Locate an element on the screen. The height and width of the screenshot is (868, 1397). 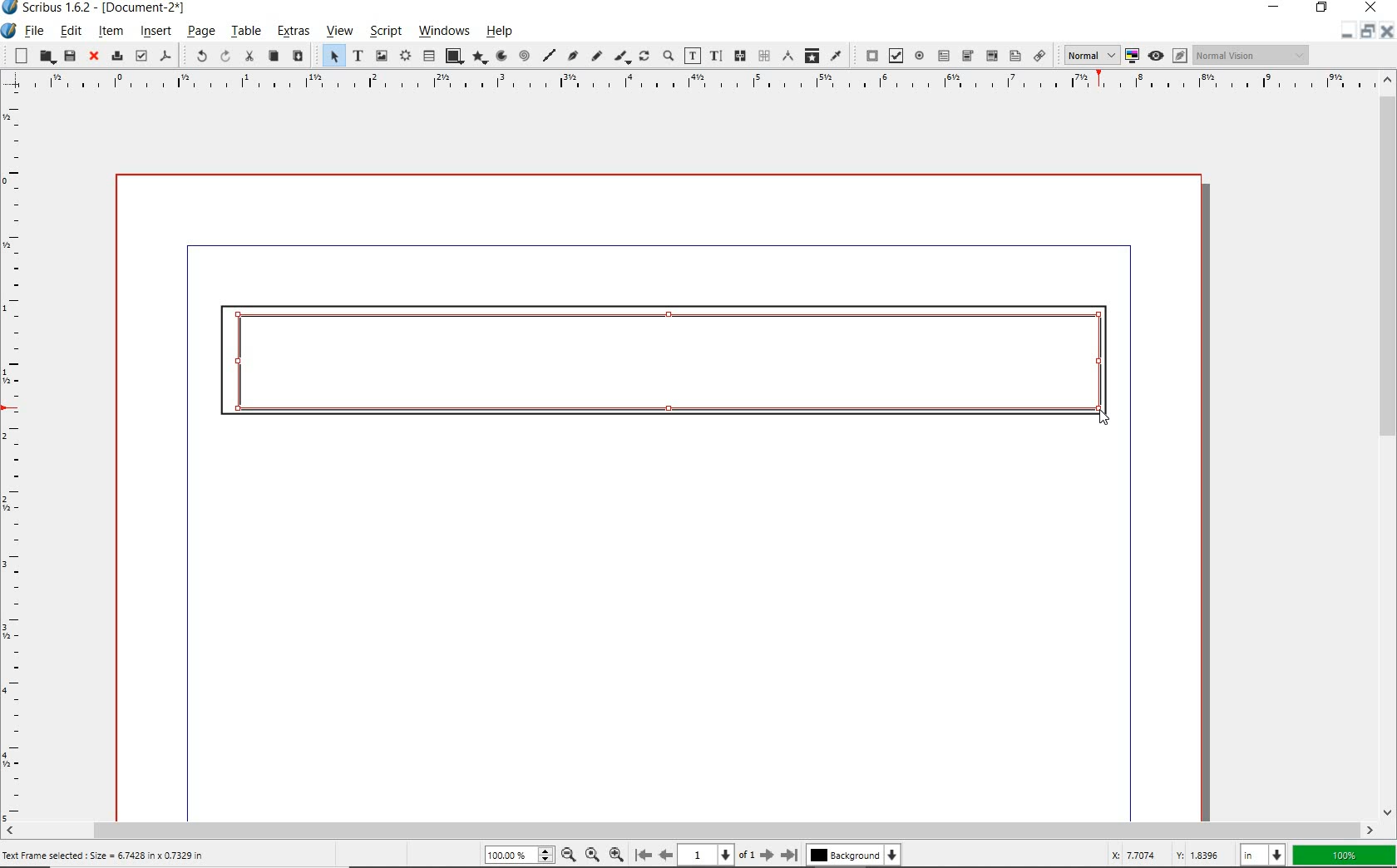
toggle color is located at coordinates (1130, 57).